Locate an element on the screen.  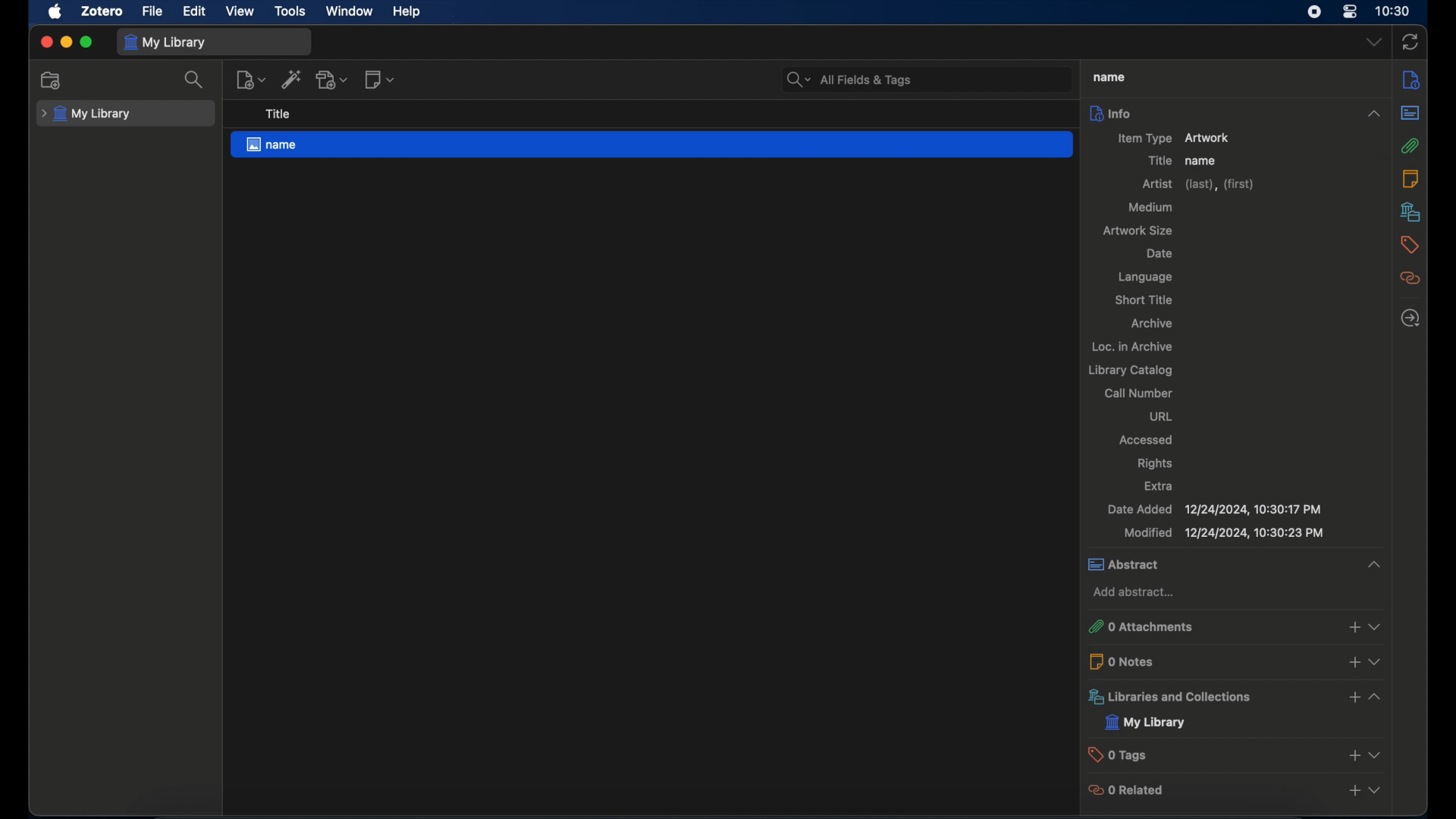
maximize is located at coordinates (86, 42).